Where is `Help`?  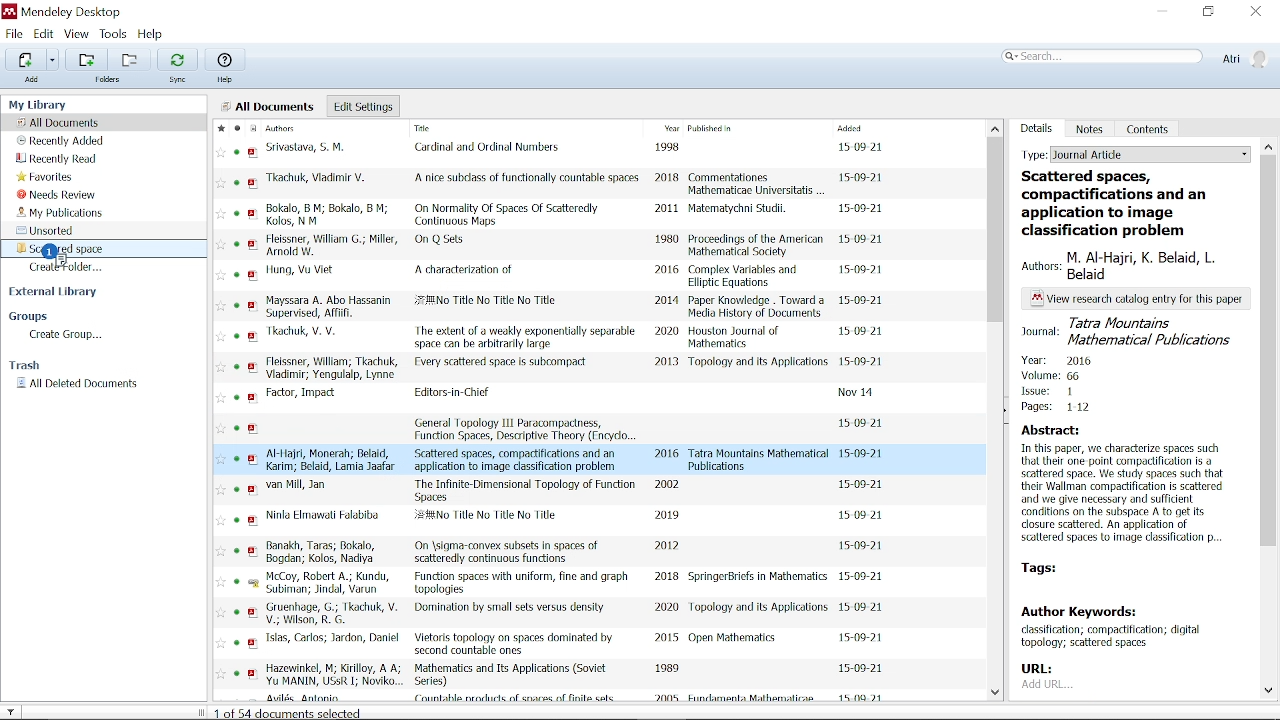
Help is located at coordinates (154, 35).